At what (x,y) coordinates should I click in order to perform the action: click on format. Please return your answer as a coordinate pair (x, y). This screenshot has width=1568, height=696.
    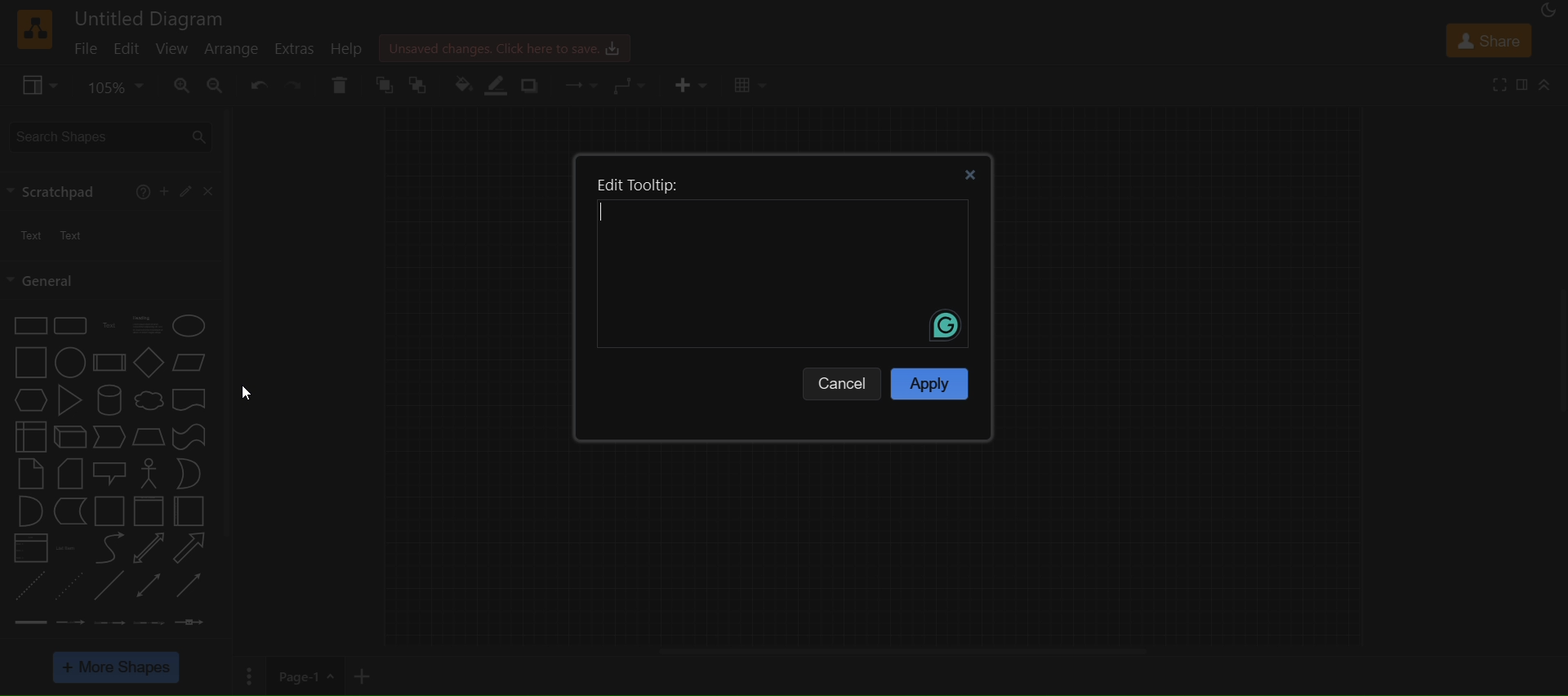
    Looking at the image, I should click on (1521, 83).